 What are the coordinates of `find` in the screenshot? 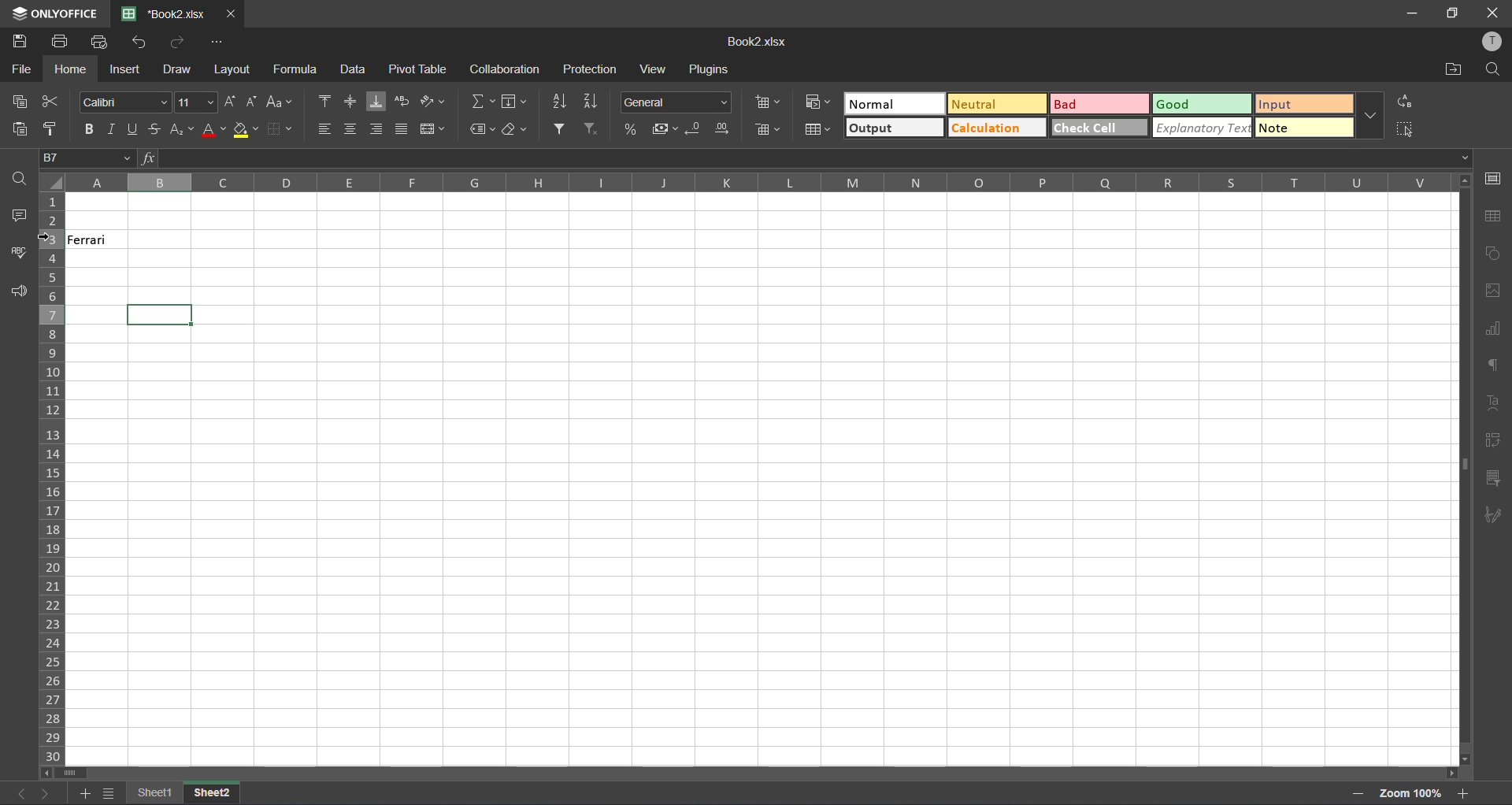 It's located at (1492, 70).